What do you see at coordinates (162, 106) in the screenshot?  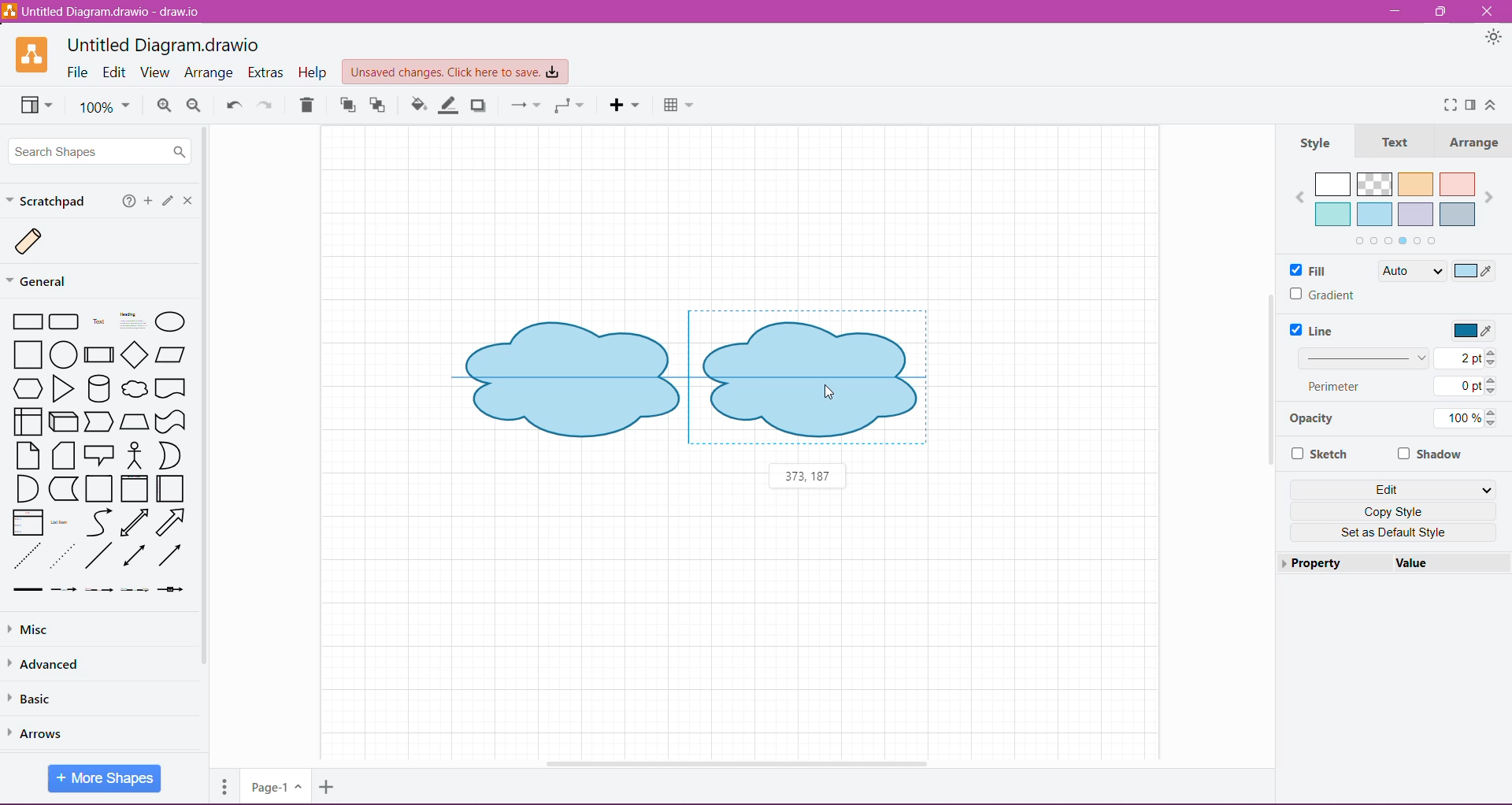 I see `Zoom In` at bounding box center [162, 106].